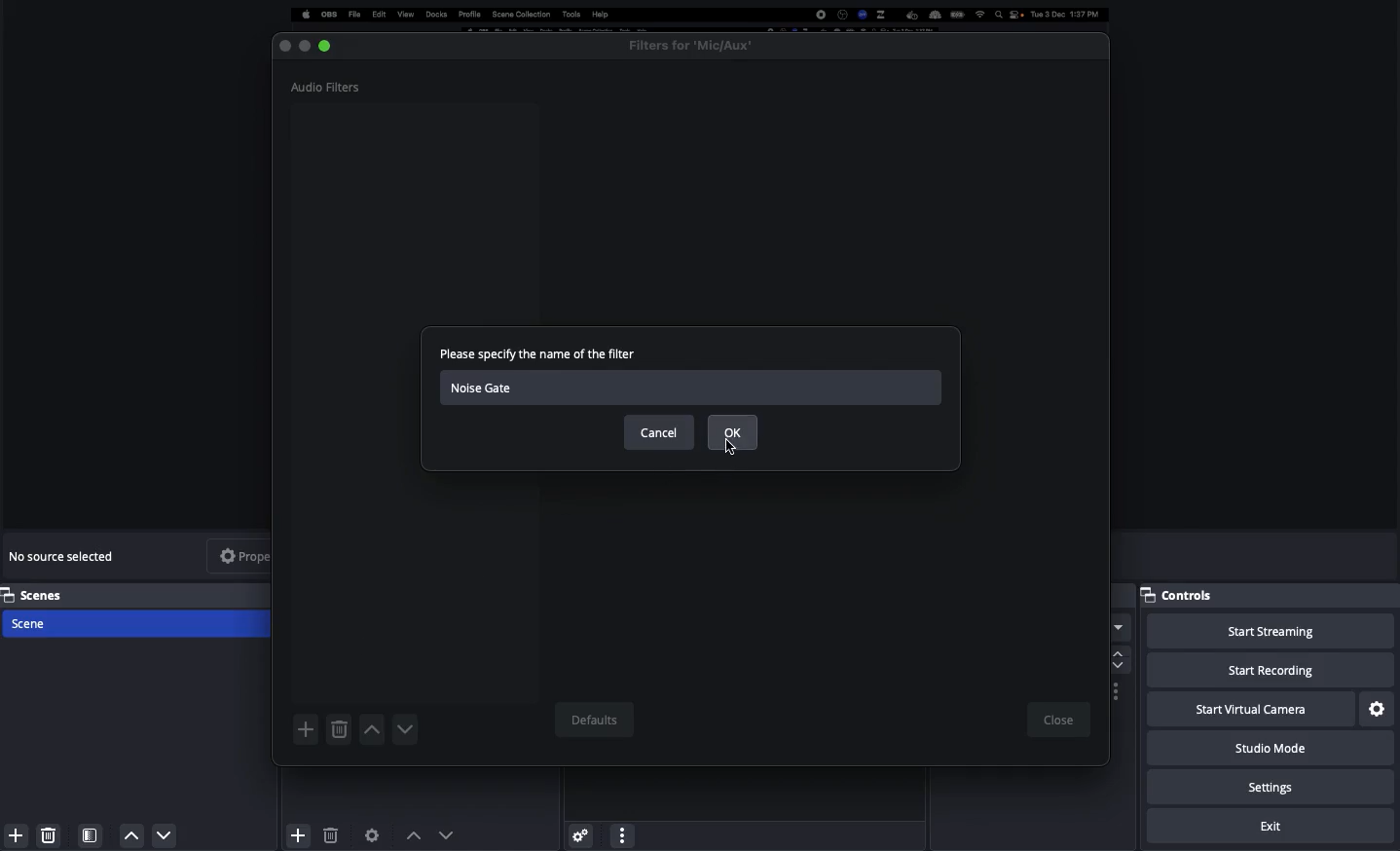 Image resolution: width=1400 pixels, height=851 pixels. Describe the element at coordinates (374, 833) in the screenshot. I see `Source preferences ` at that location.